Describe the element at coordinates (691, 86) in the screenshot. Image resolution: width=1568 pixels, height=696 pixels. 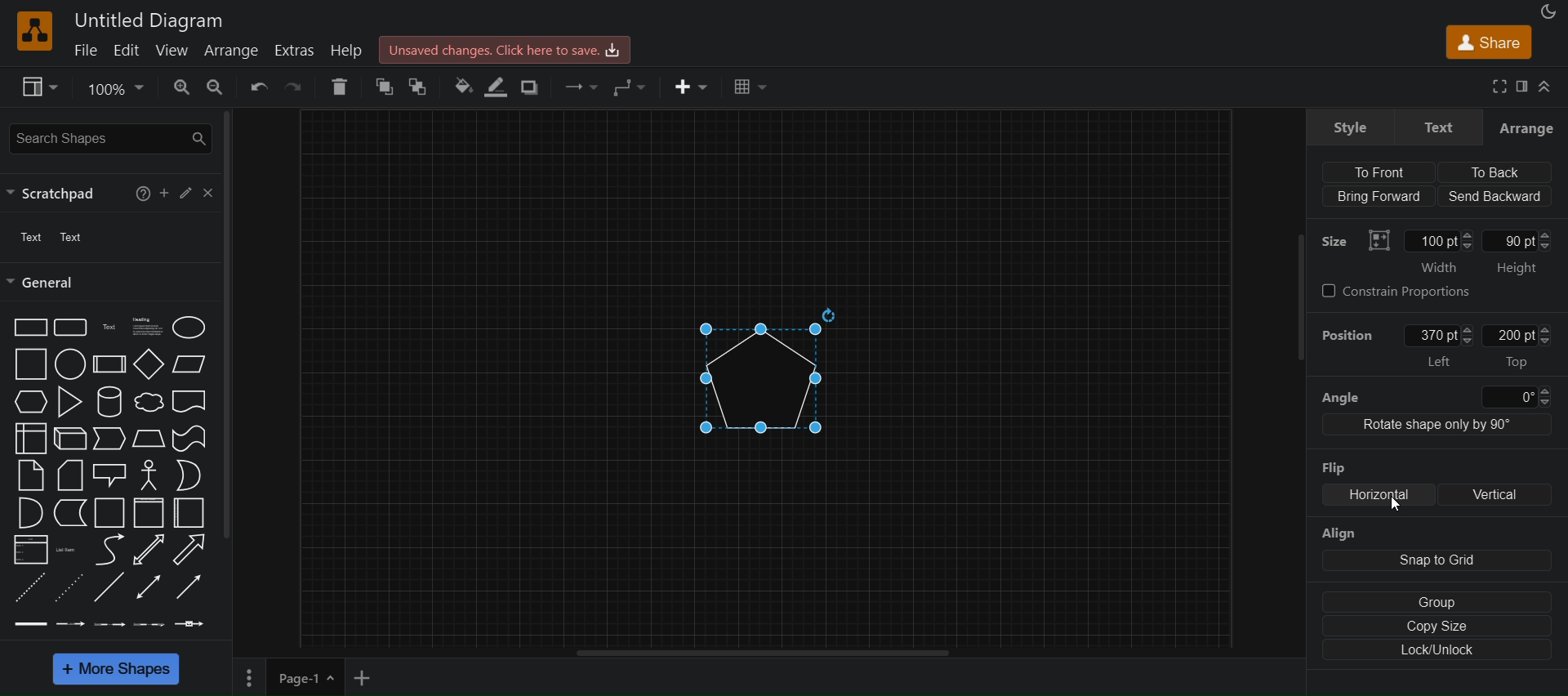
I see `insert` at that location.